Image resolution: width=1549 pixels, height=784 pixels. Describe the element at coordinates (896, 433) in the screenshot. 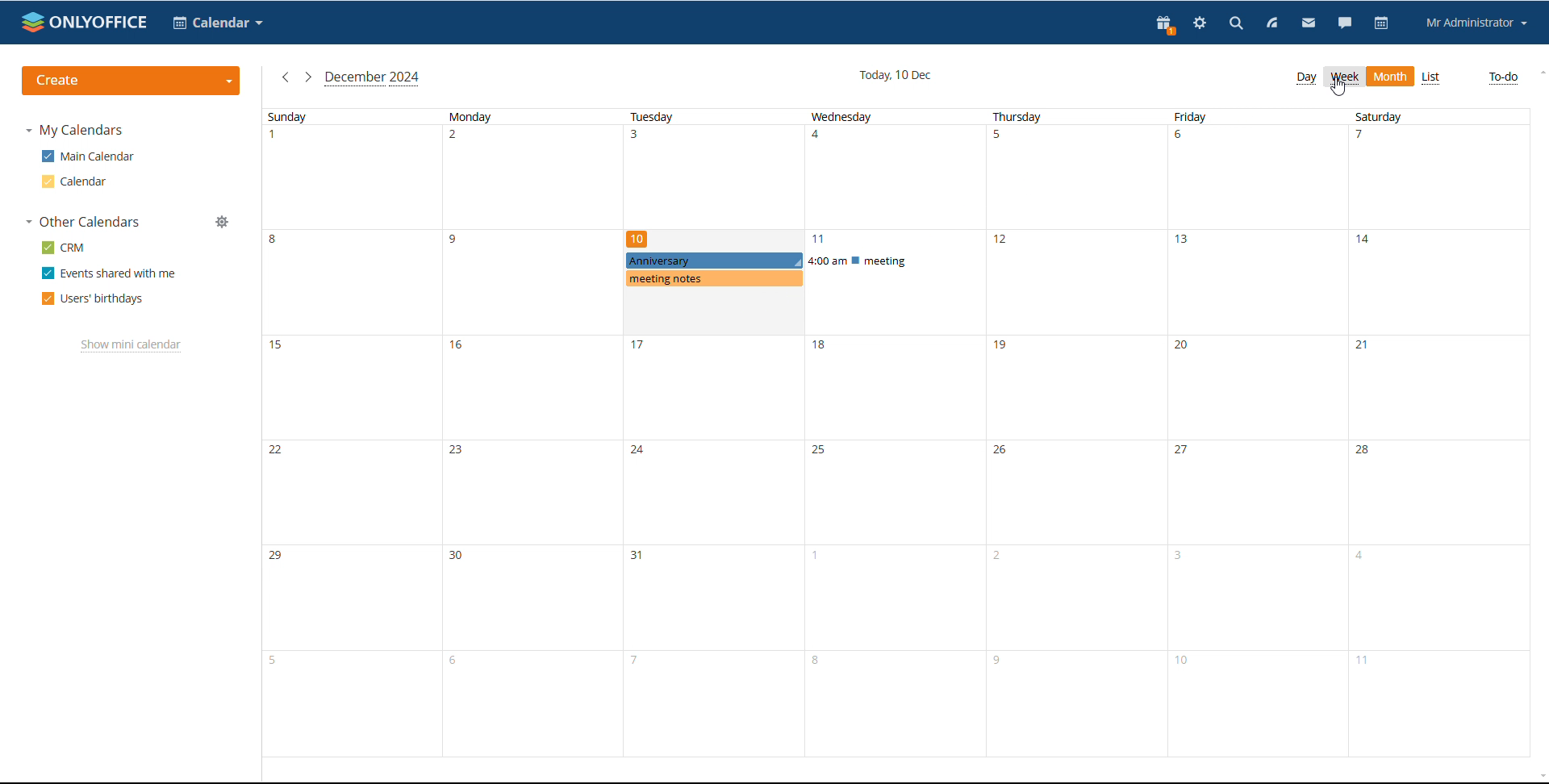

I see `wednesday` at that location.